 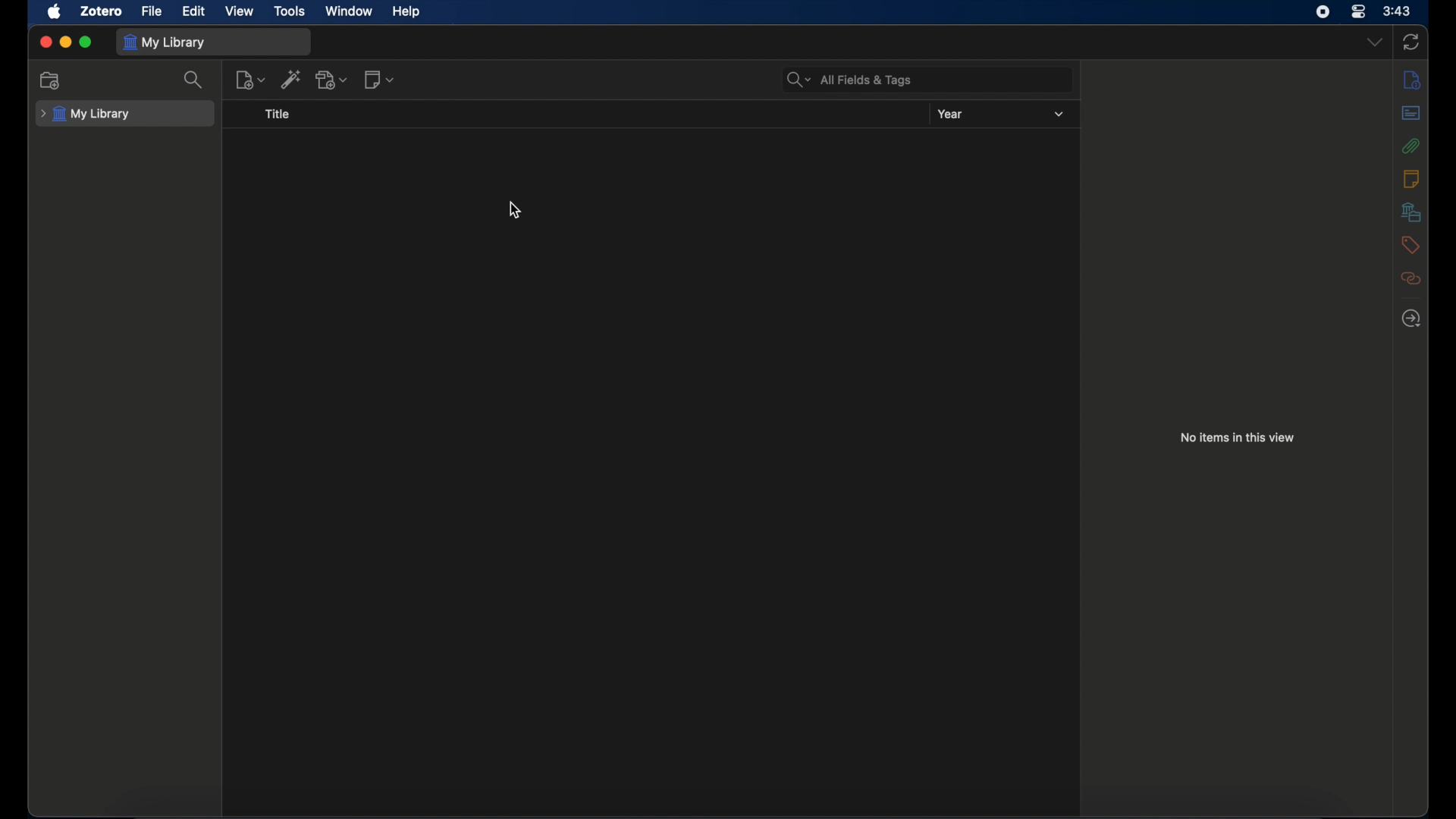 I want to click on new note, so click(x=381, y=79).